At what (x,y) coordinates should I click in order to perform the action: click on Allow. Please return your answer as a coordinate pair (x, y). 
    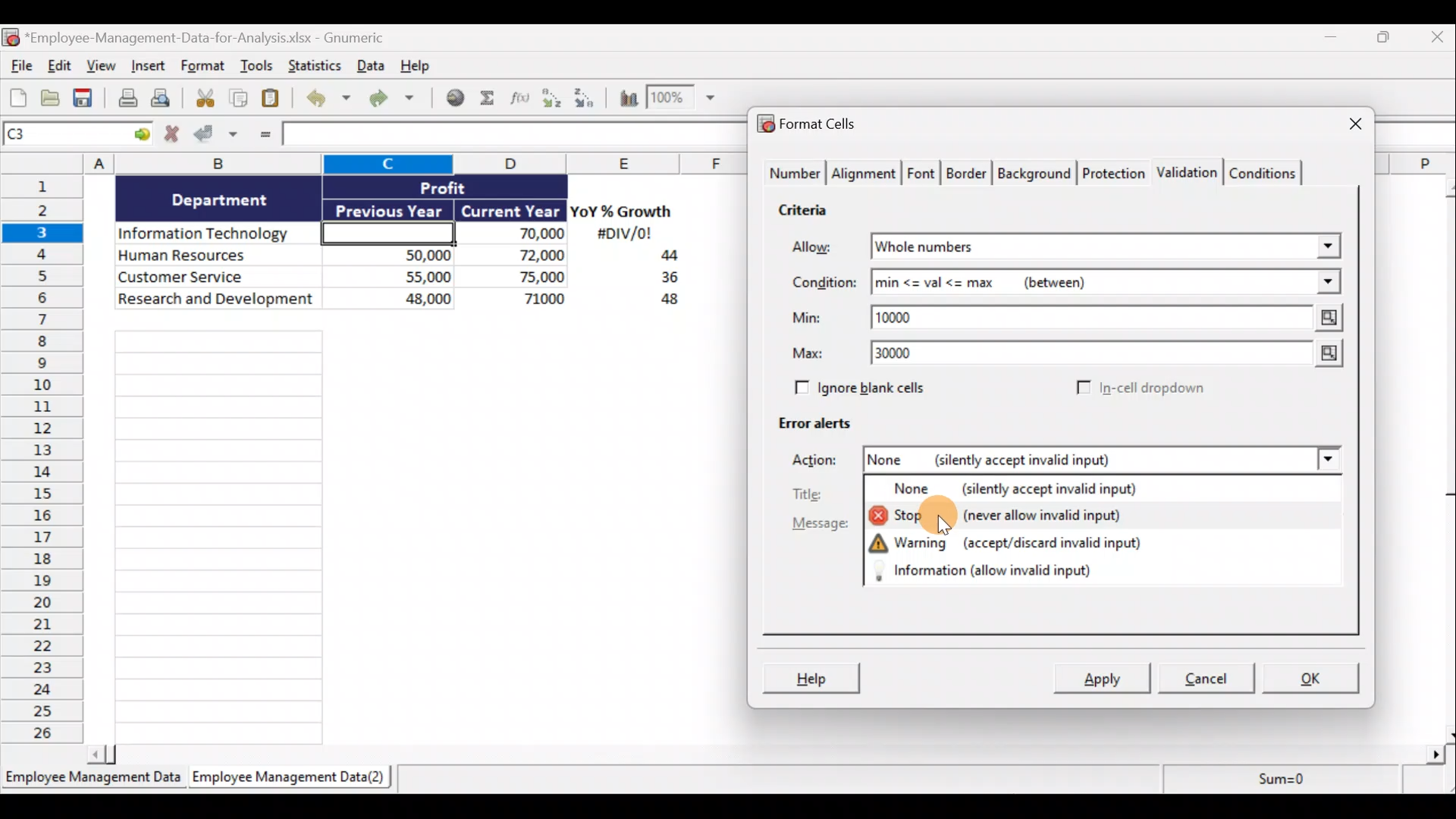
    Looking at the image, I should click on (823, 248).